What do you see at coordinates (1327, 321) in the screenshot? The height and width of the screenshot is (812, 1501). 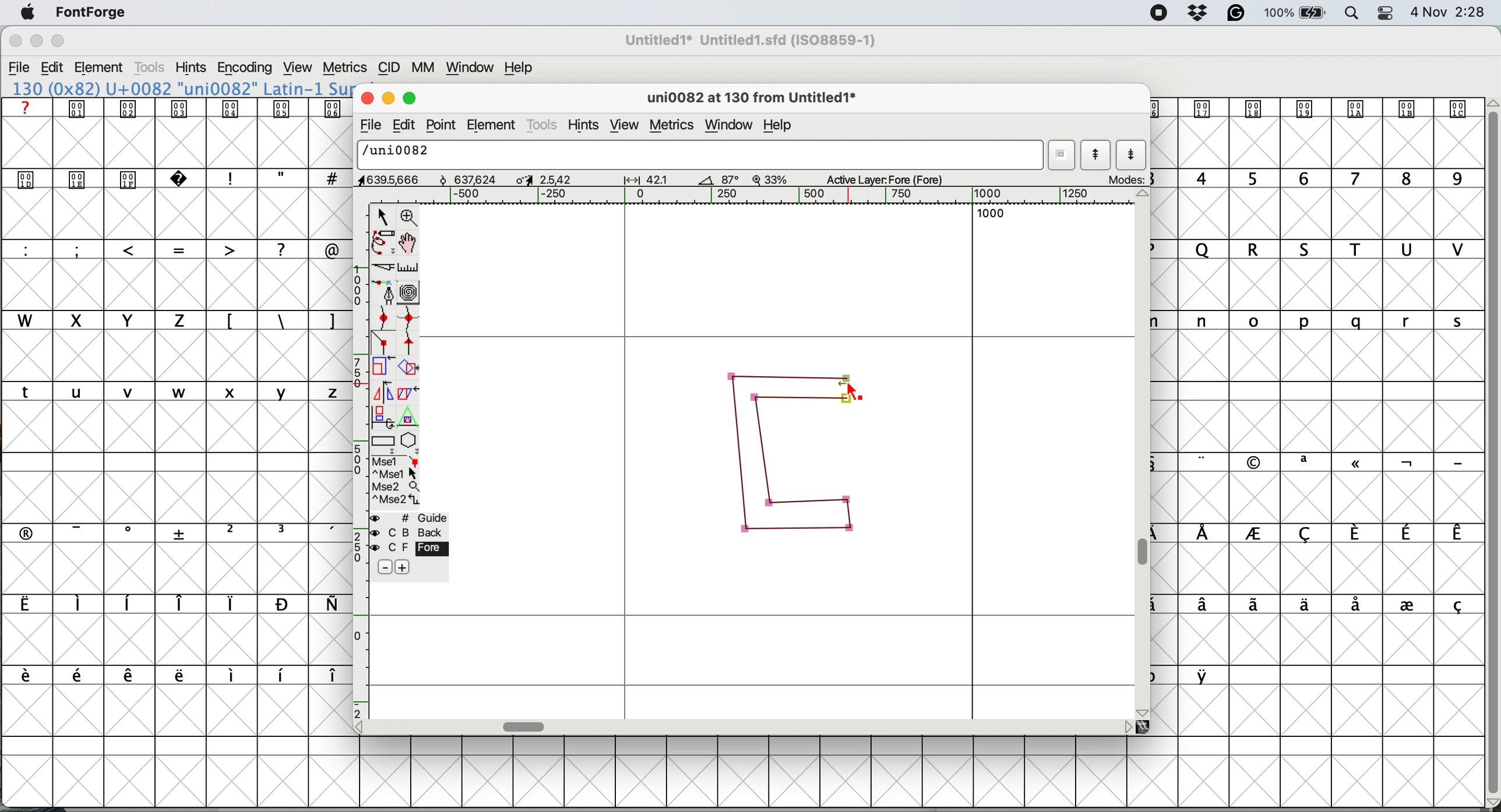 I see `lowercase letters` at bounding box center [1327, 321].